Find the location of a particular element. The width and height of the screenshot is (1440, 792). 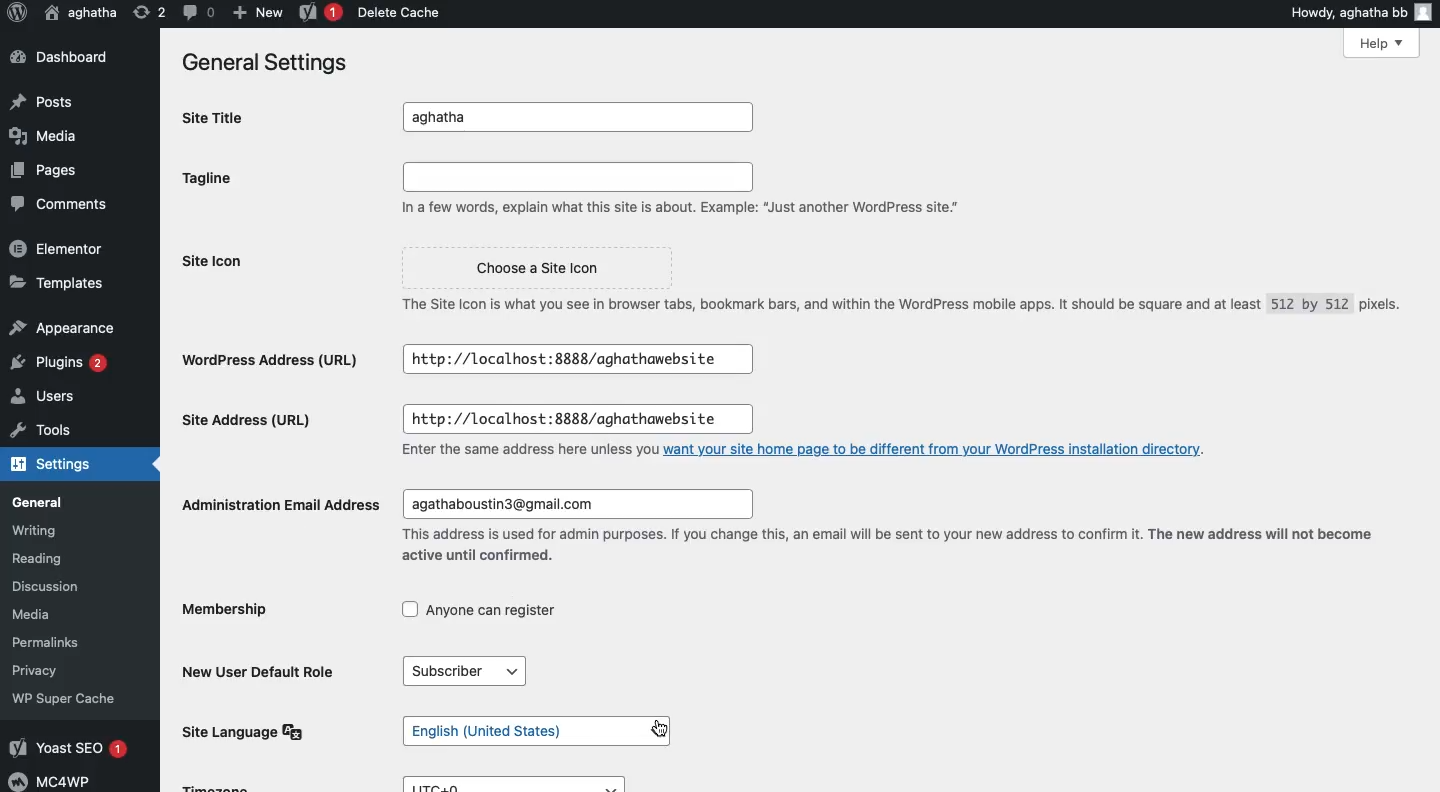

General is located at coordinates (48, 501).